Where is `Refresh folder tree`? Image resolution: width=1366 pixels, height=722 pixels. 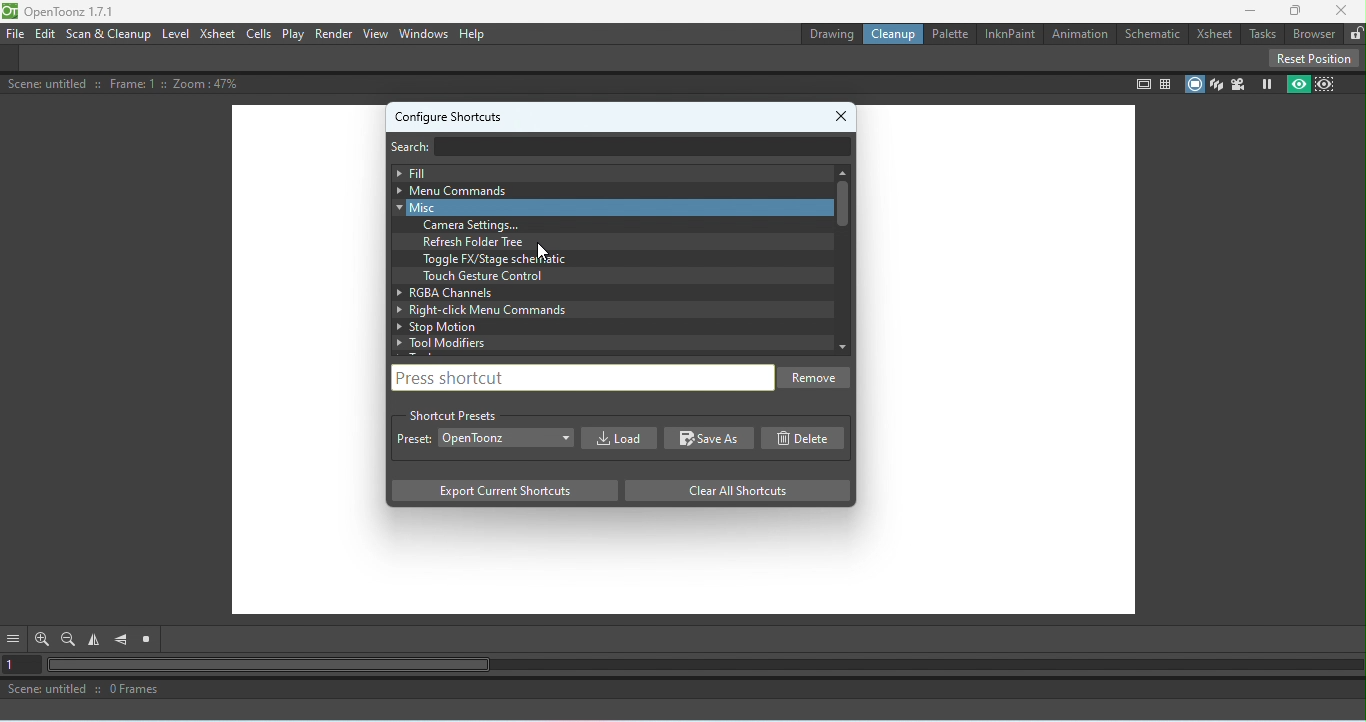
Refresh folder tree is located at coordinates (478, 242).